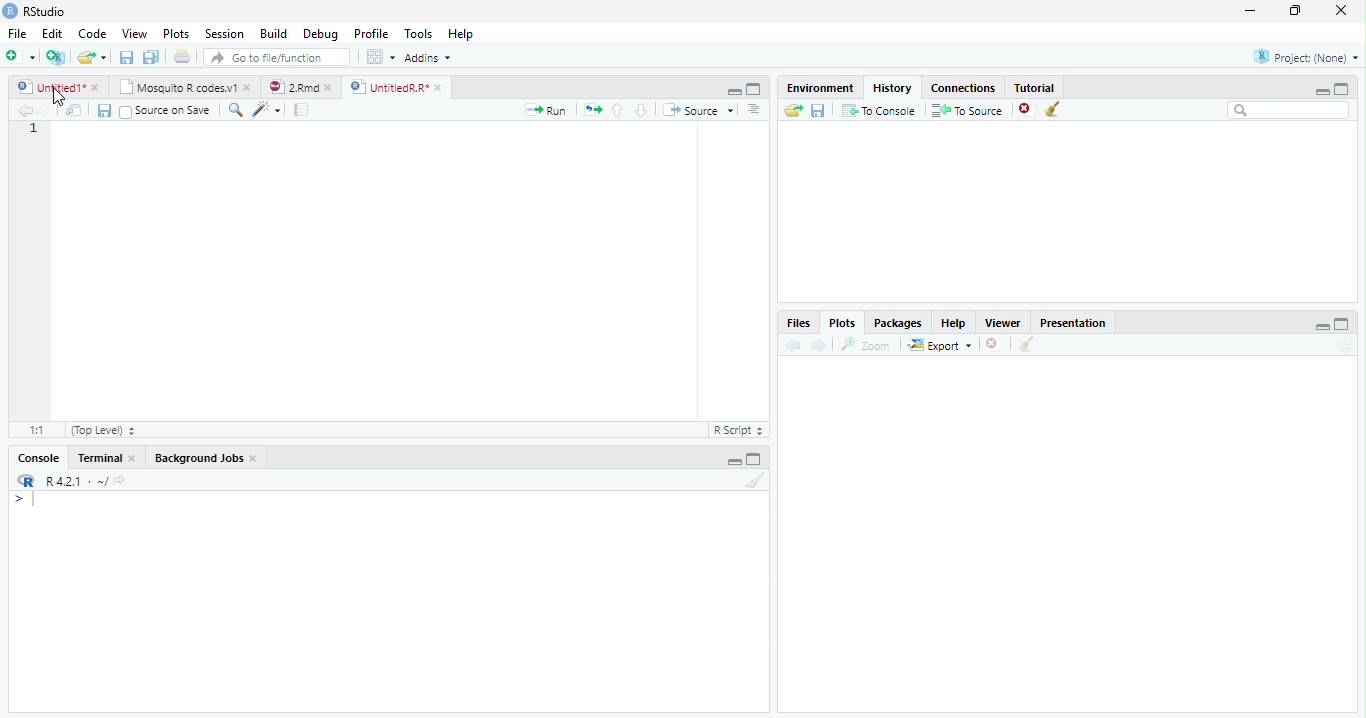 The image size is (1366, 718). I want to click on Save All open documents, so click(150, 57).